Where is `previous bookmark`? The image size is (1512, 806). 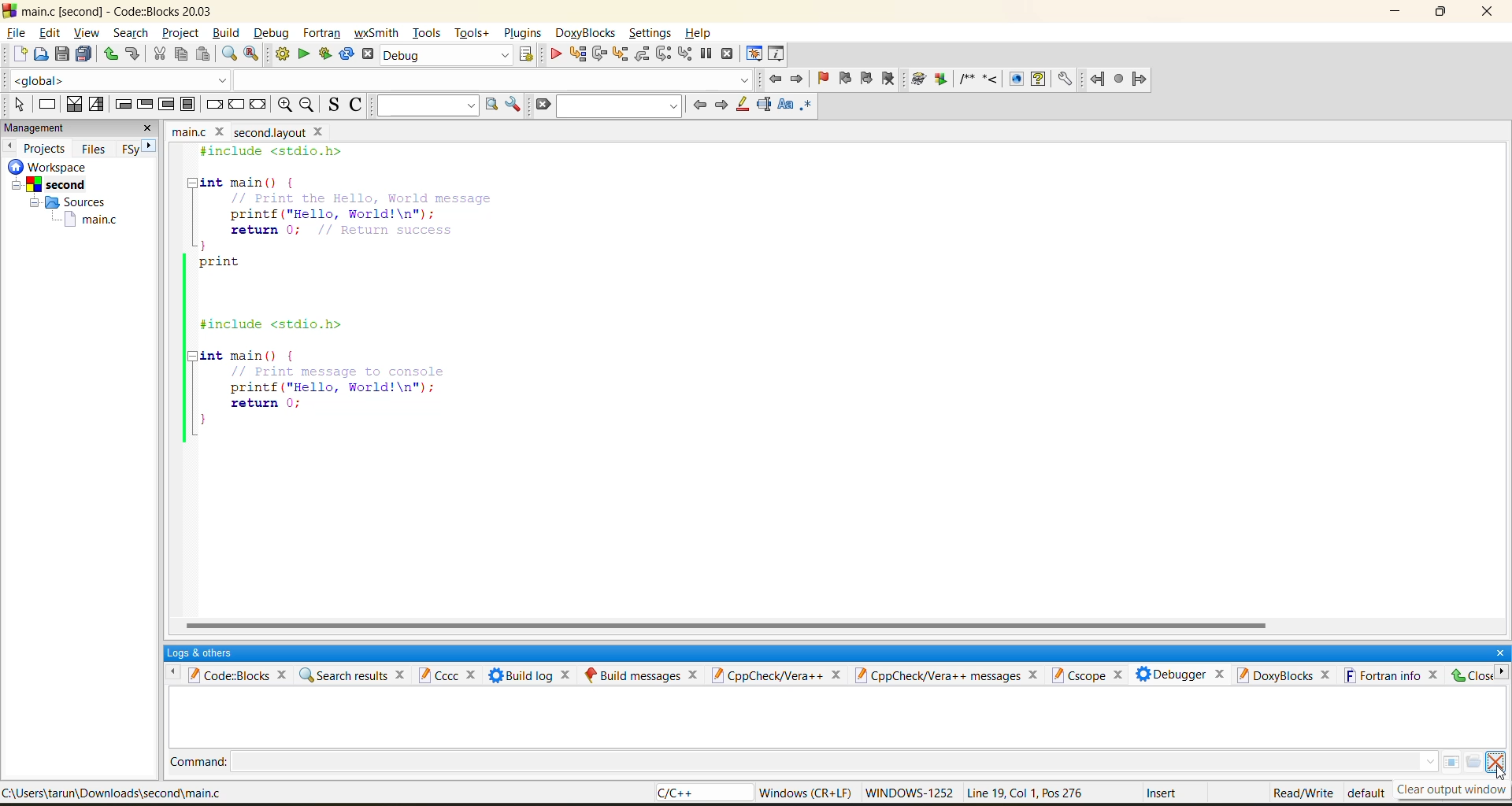 previous bookmark is located at coordinates (847, 77).